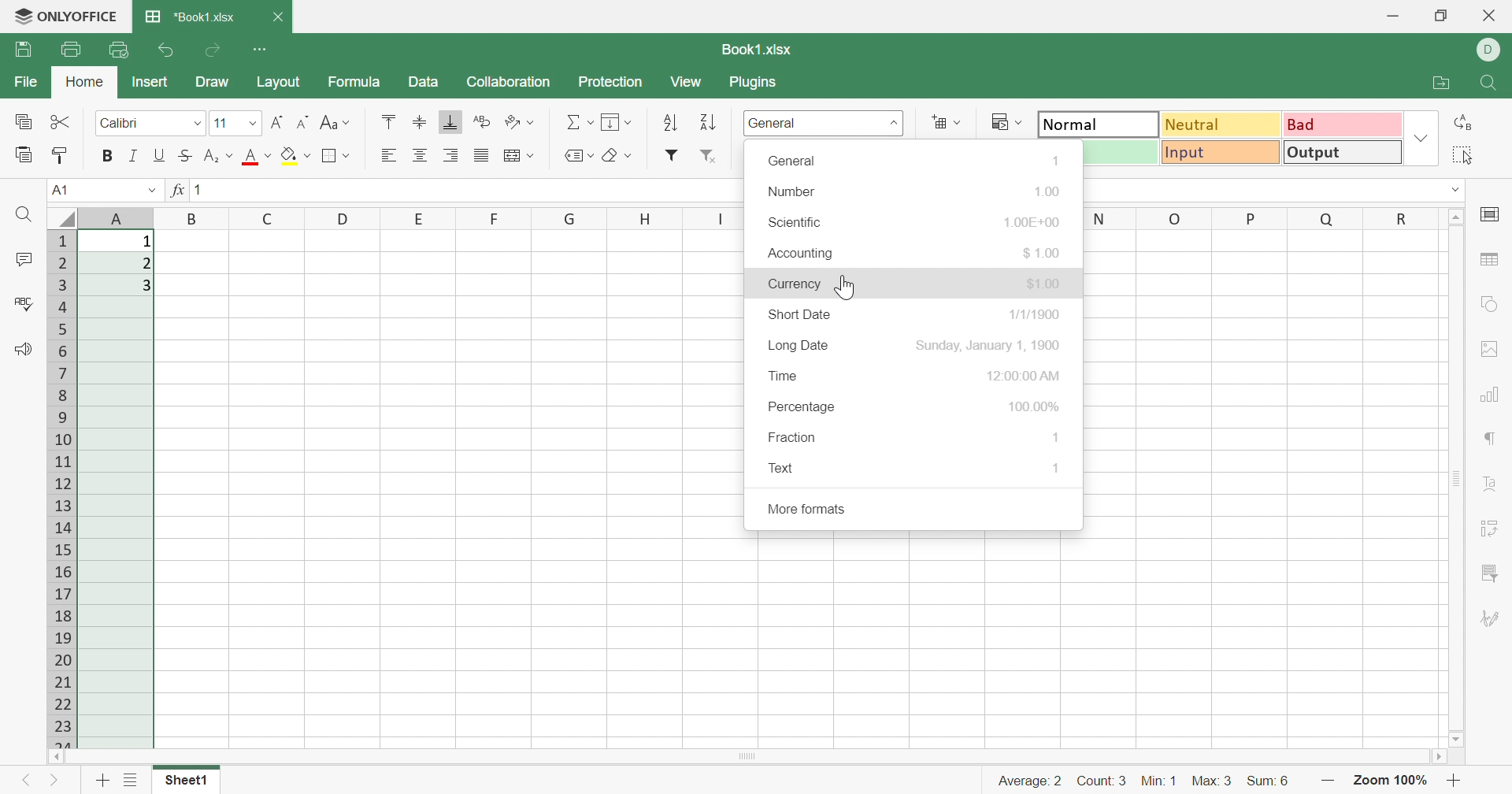  What do you see at coordinates (72, 50) in the screenshot?
I see `Print file` at bounding box center [72, 50].